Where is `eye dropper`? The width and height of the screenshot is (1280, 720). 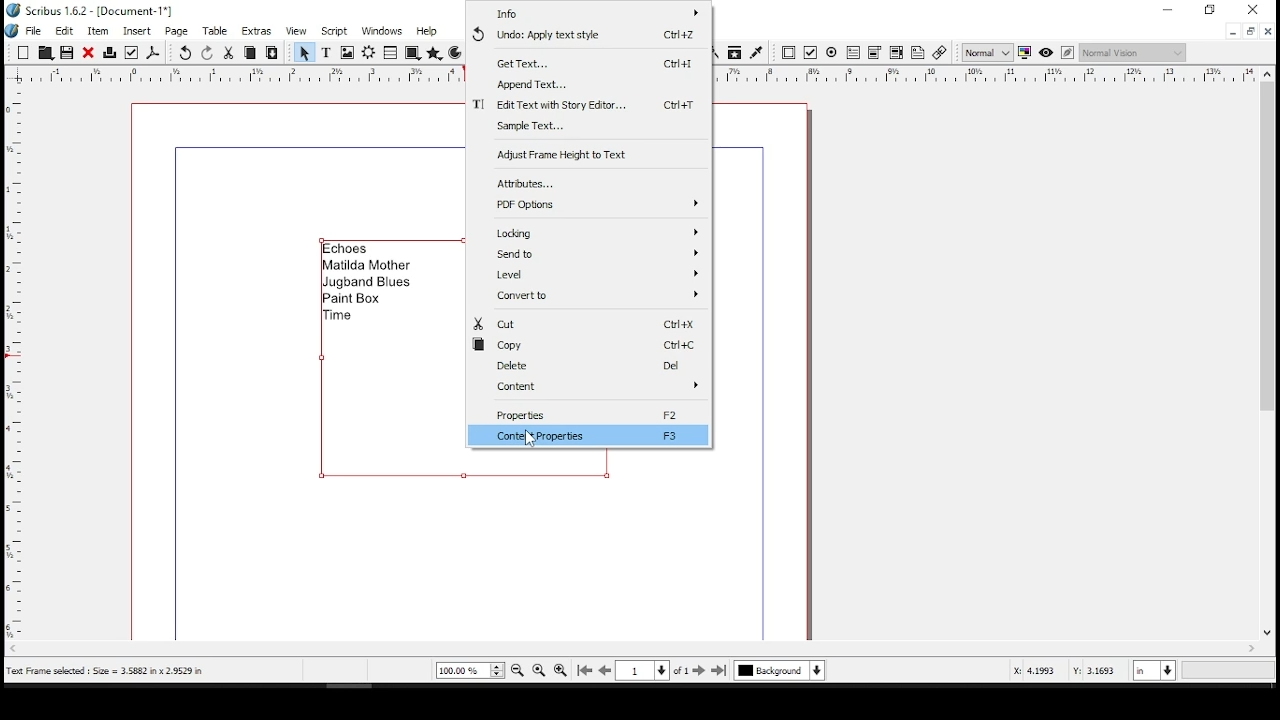
eye dropper is located at coordinates (756, 52).